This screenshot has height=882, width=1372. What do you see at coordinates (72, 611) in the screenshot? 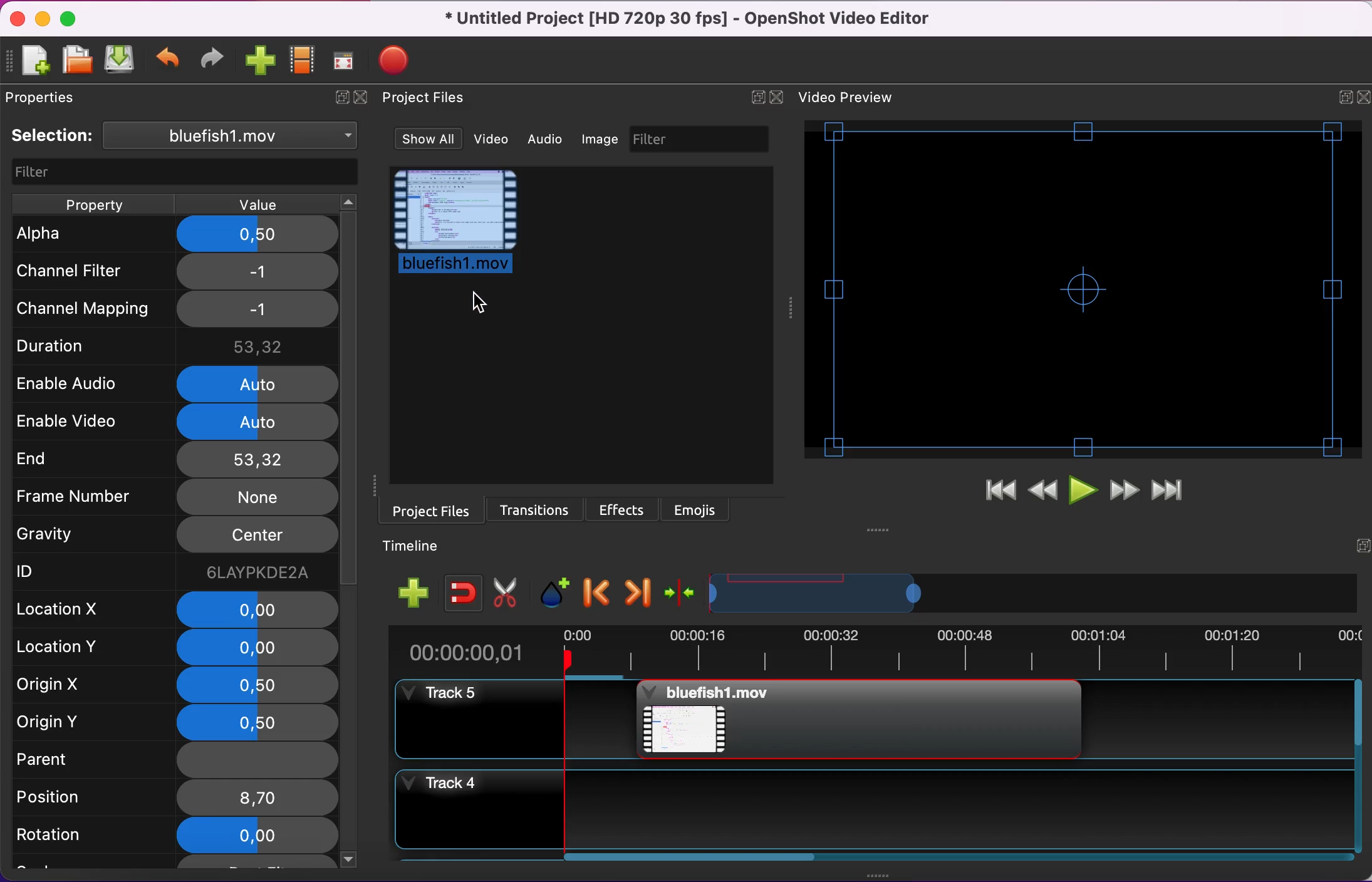
I see `location x` at bounding box center [72, 611].